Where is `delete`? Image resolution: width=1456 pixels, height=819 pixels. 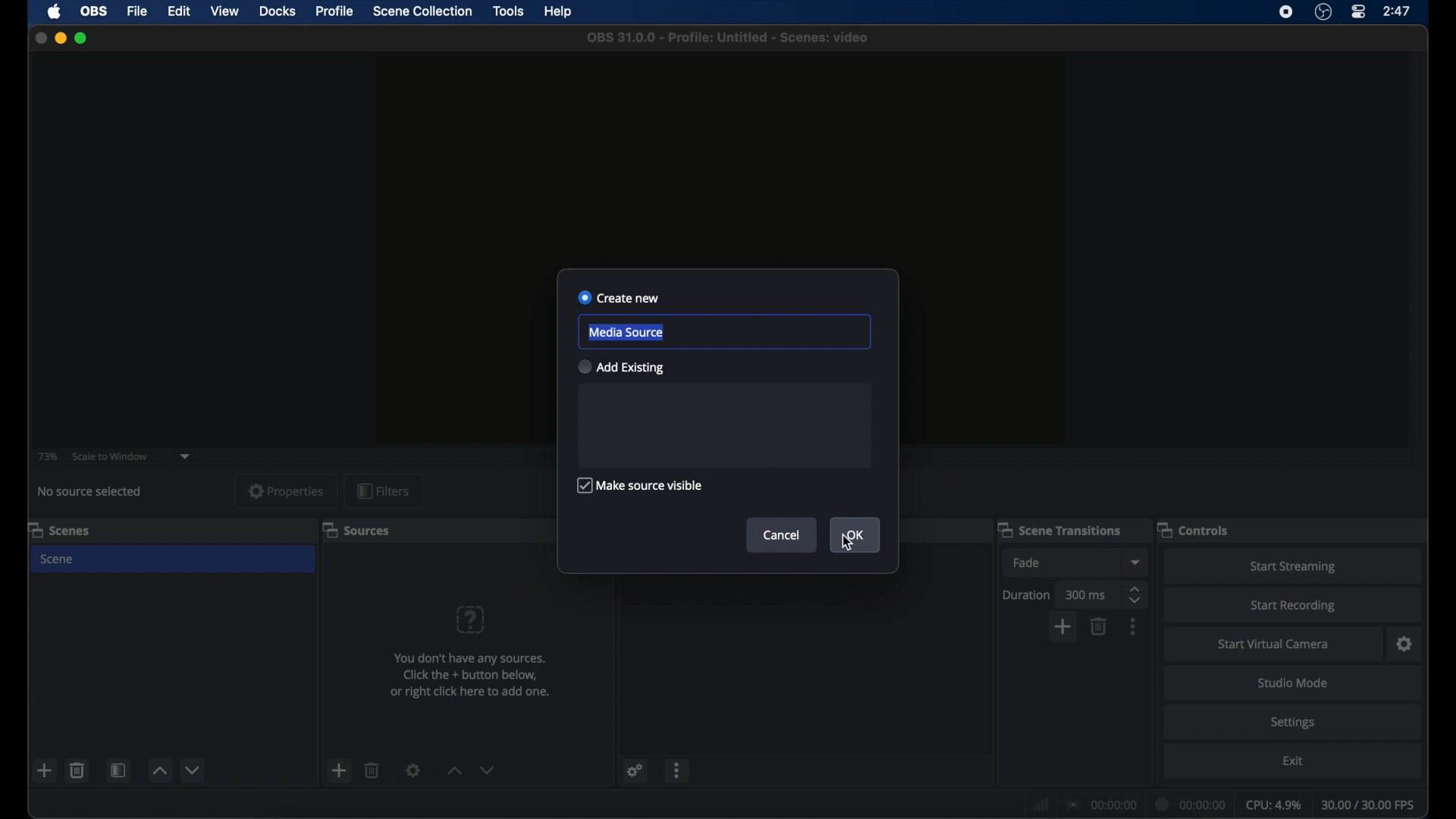
delete is located at coordinates (372, 770).